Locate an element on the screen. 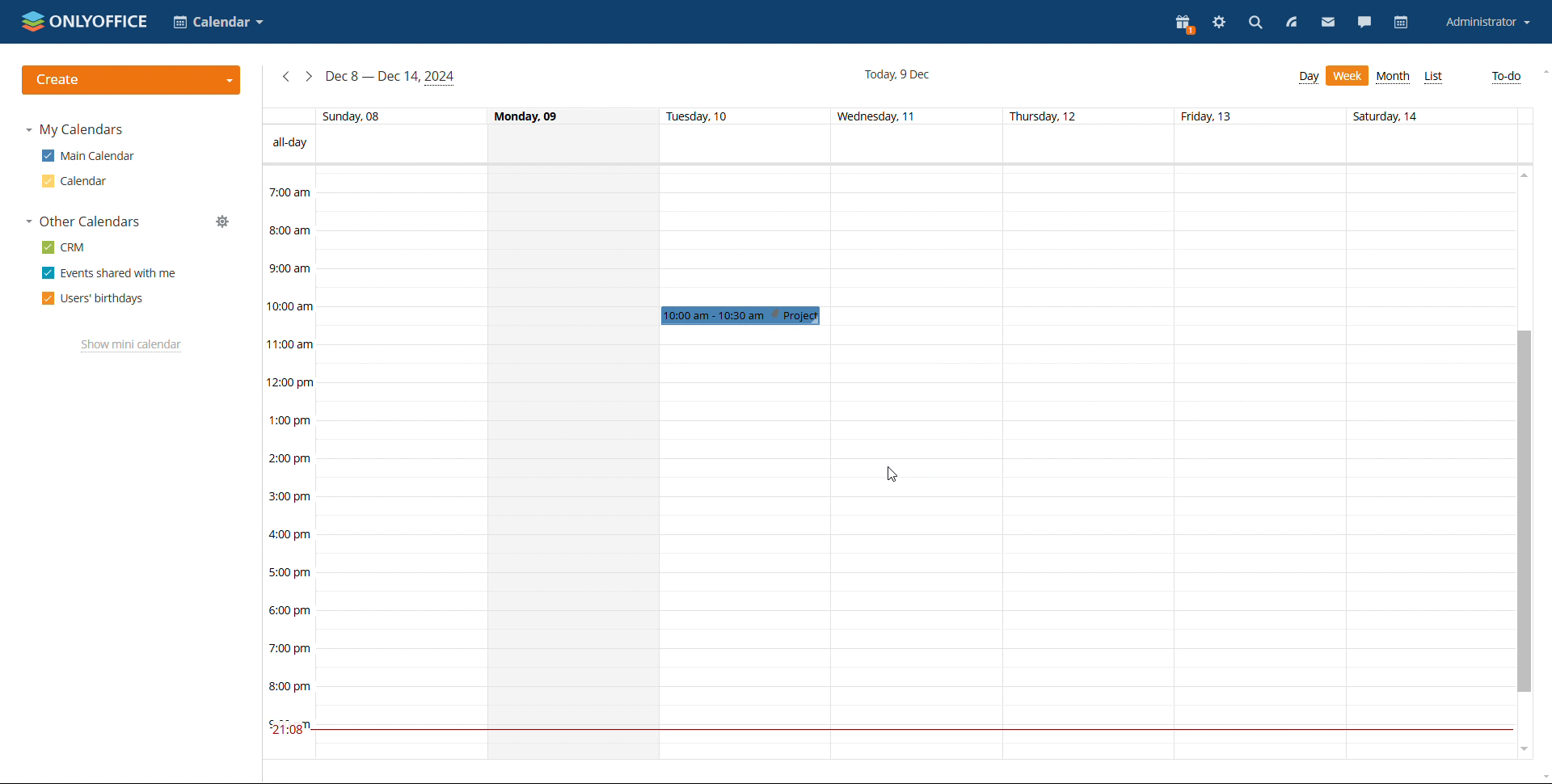  search is located at coordinates (1255, 25).